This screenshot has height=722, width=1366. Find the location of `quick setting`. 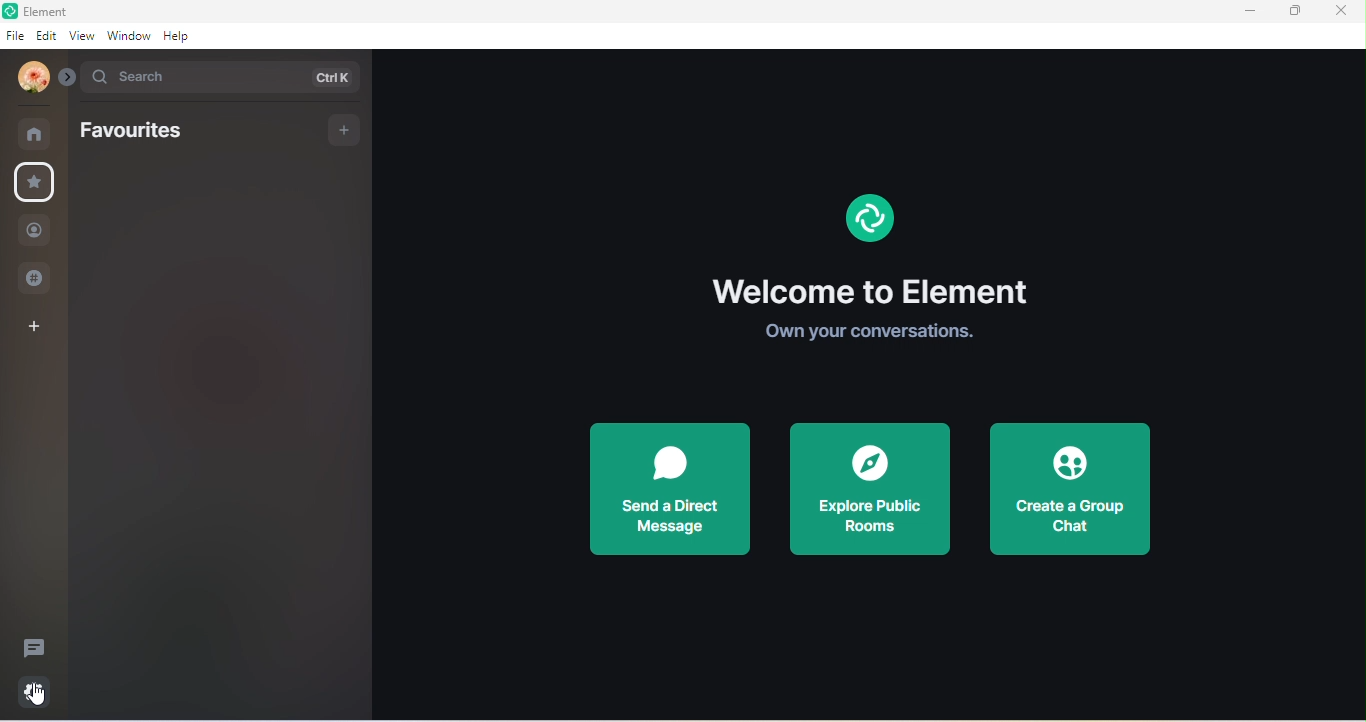

quick setting is located at coordinates (35, 688).